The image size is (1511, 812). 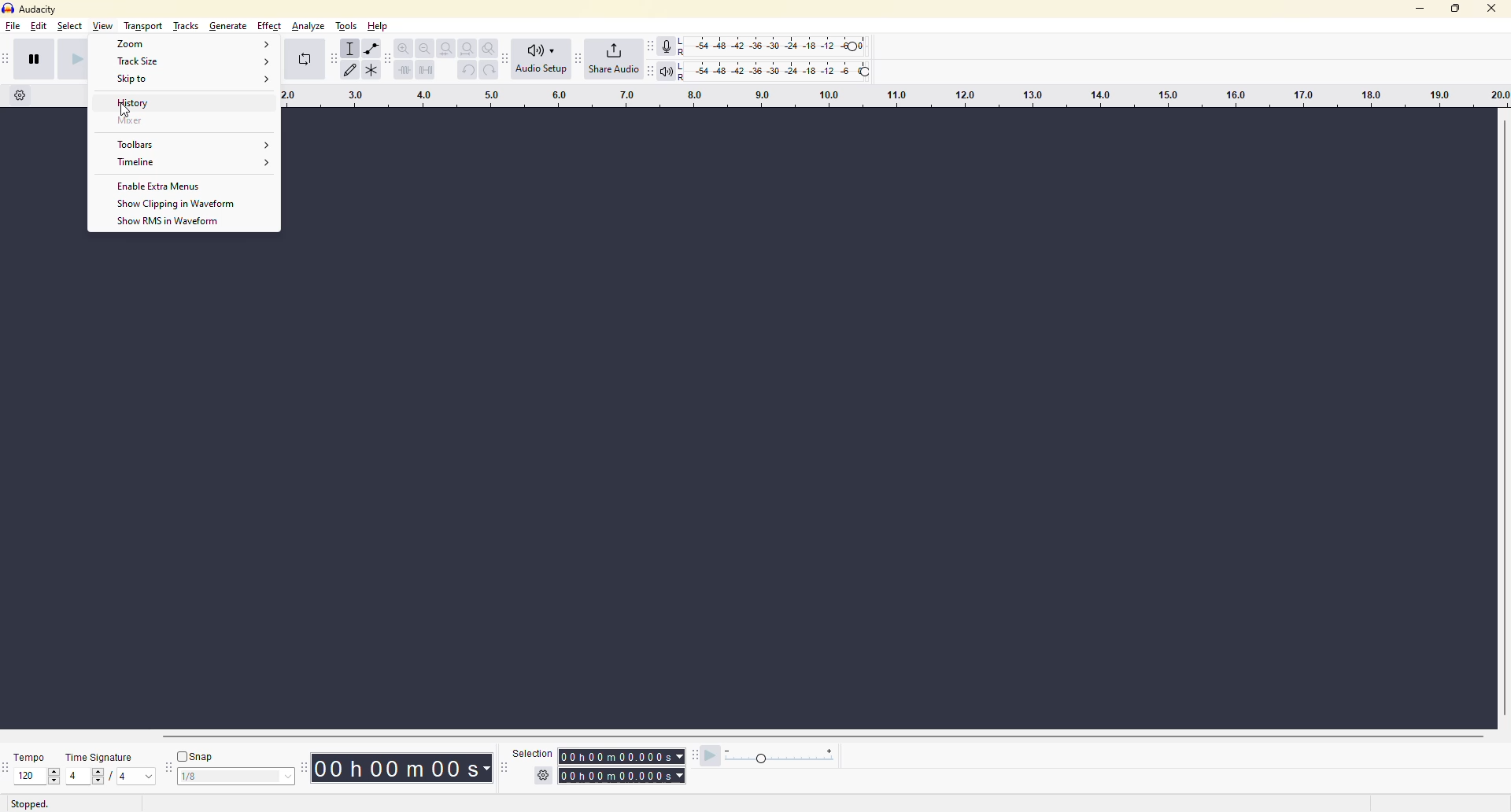 I want to click on enable extra menus, so click(x=161, y=186).